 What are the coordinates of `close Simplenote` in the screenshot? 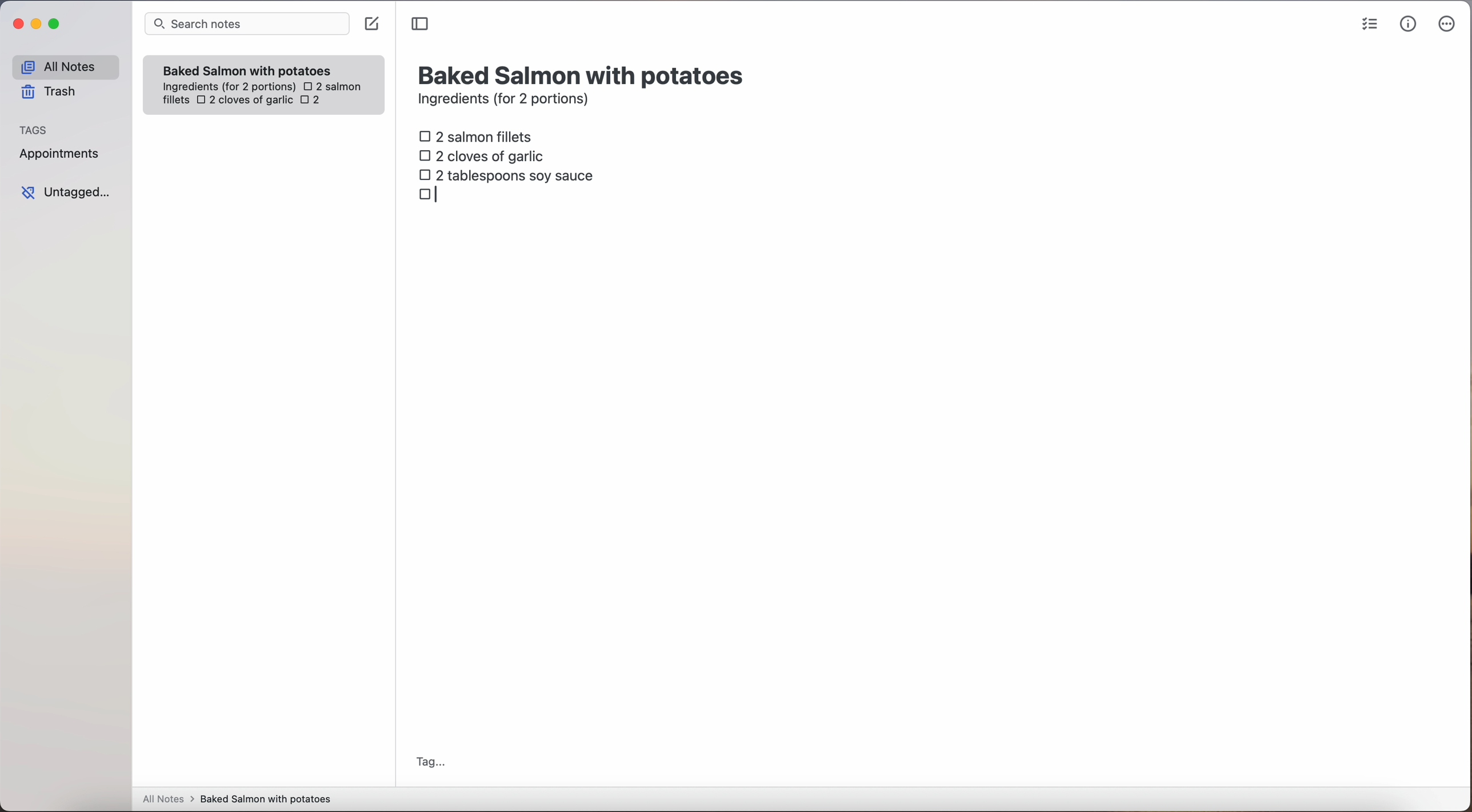 It's located at (17, 25).